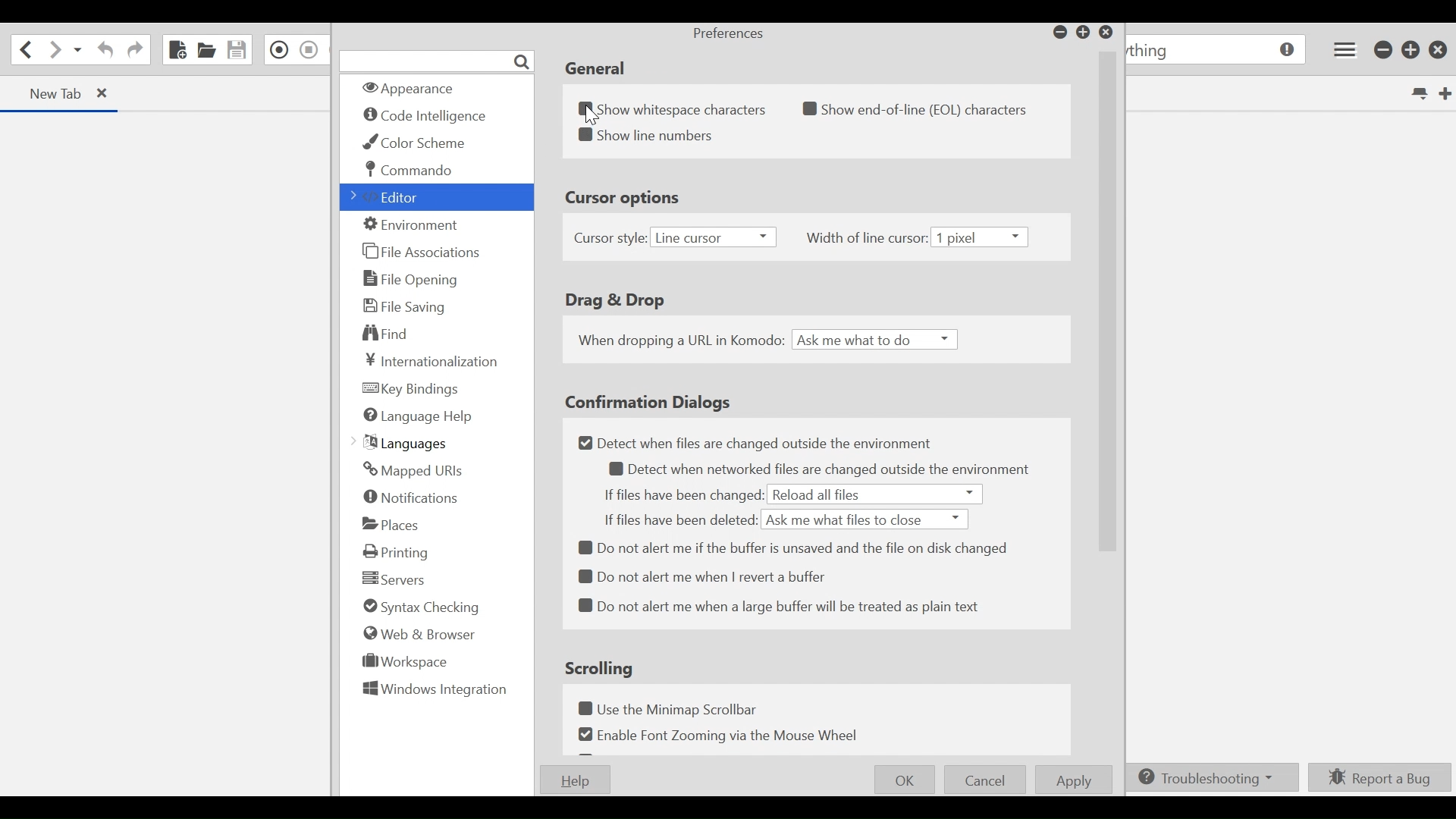 The image size is (1456, 819). Describe the element at coordinates (597, 117) in the screenshot. I see `Cursor` at that location.